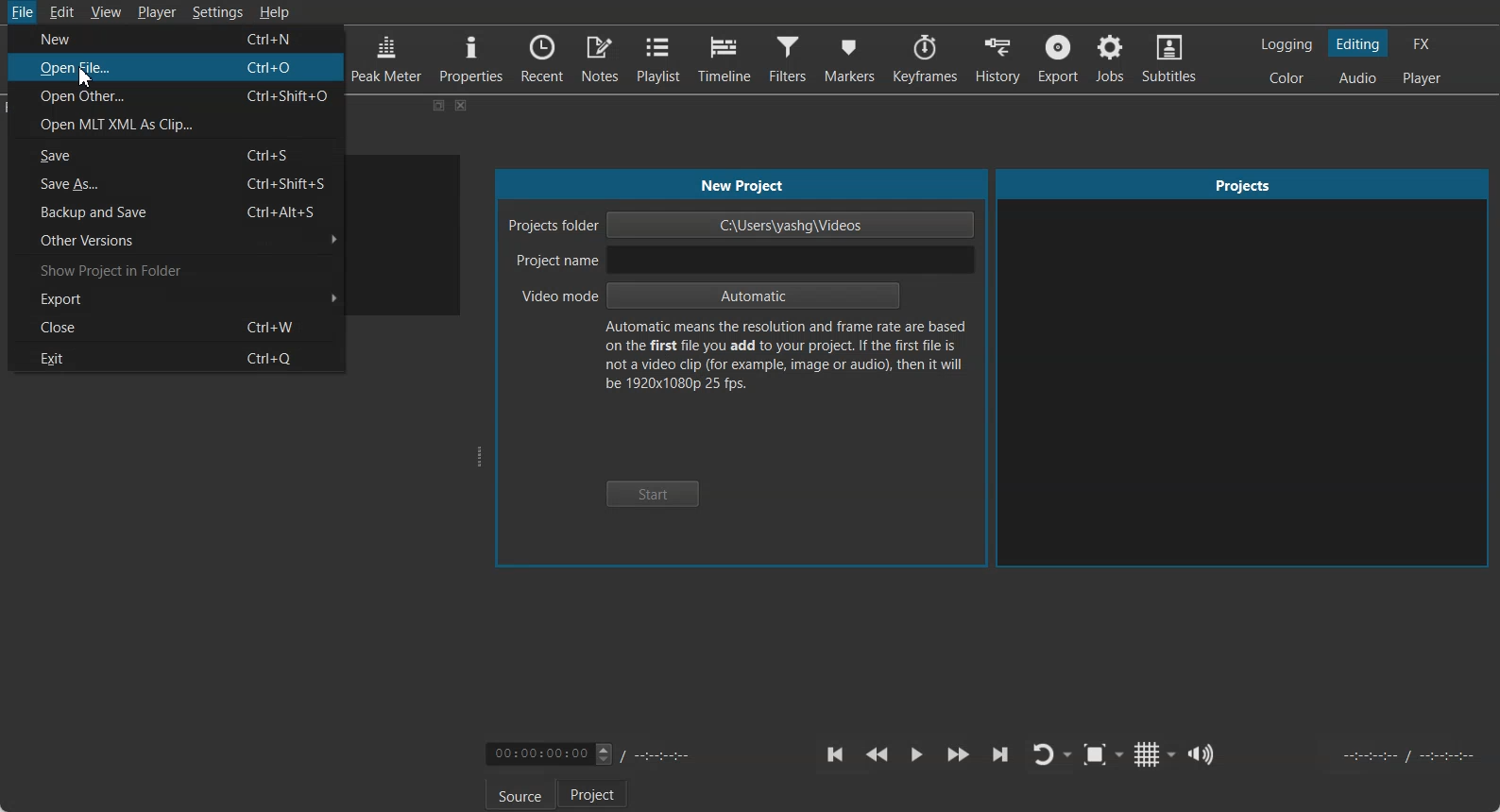 Image resolution: width=1500 pixels, height=812 pixels. I want to click on Playlist, so click(661, 58).